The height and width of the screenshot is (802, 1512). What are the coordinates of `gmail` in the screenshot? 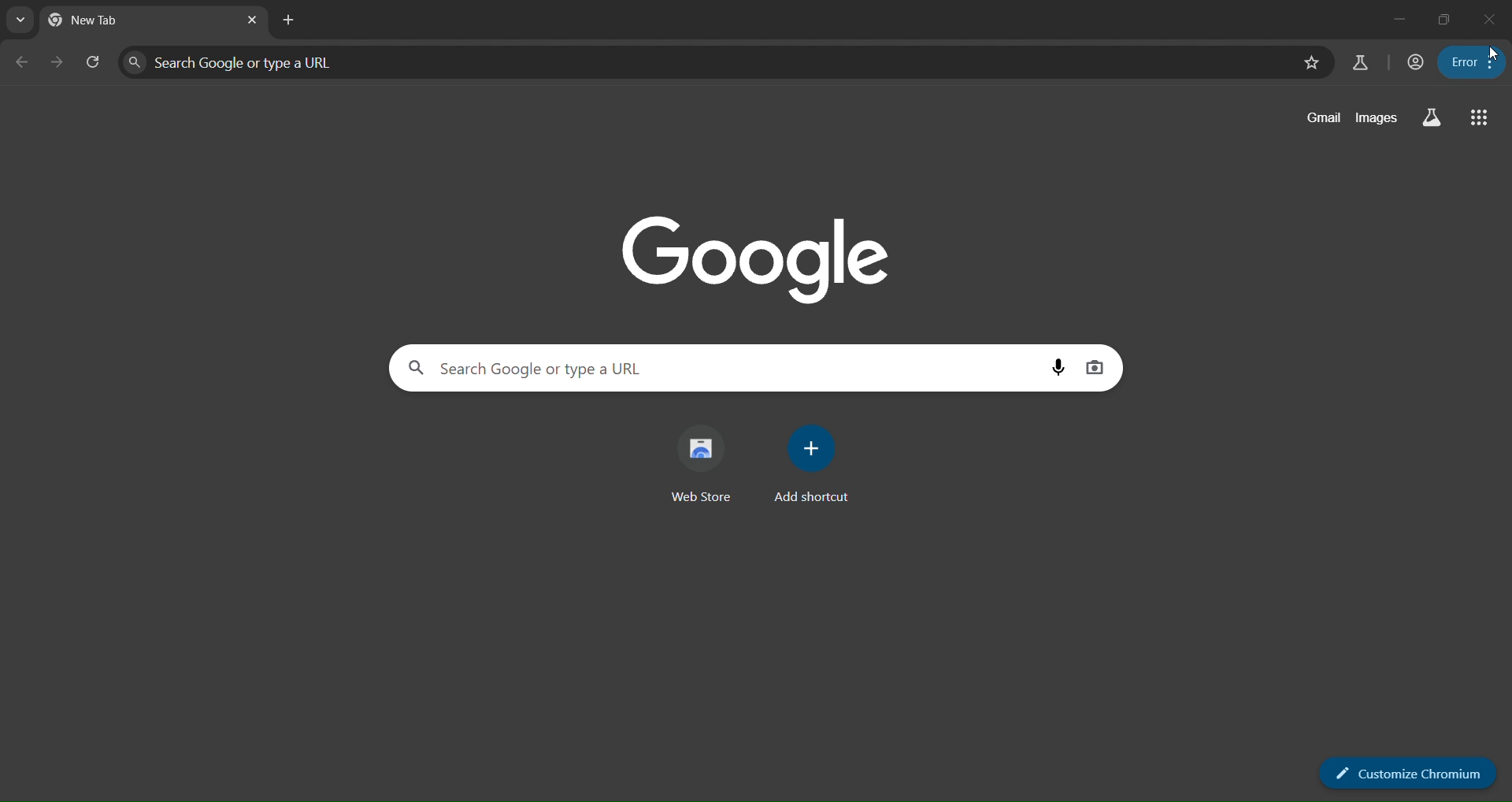 It's located at (1323, 117).